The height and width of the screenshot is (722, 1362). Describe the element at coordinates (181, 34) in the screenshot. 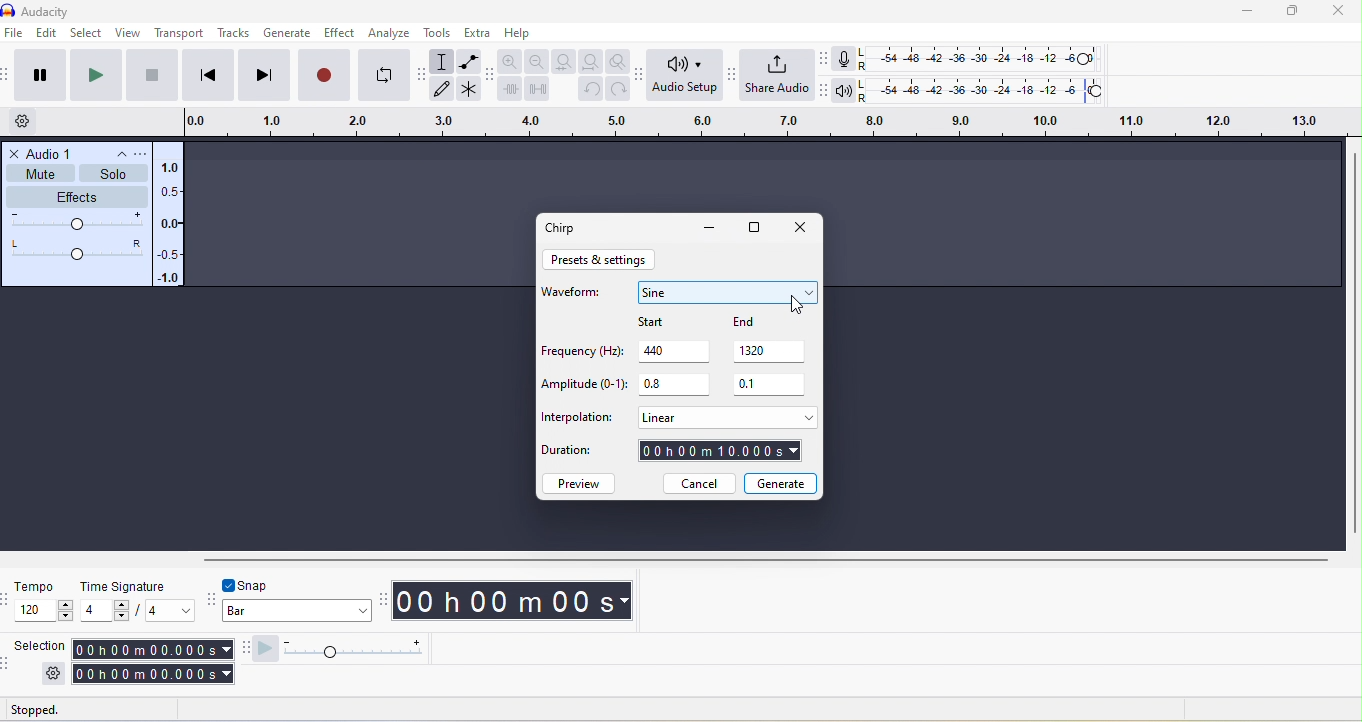

I see `transport` at that location.